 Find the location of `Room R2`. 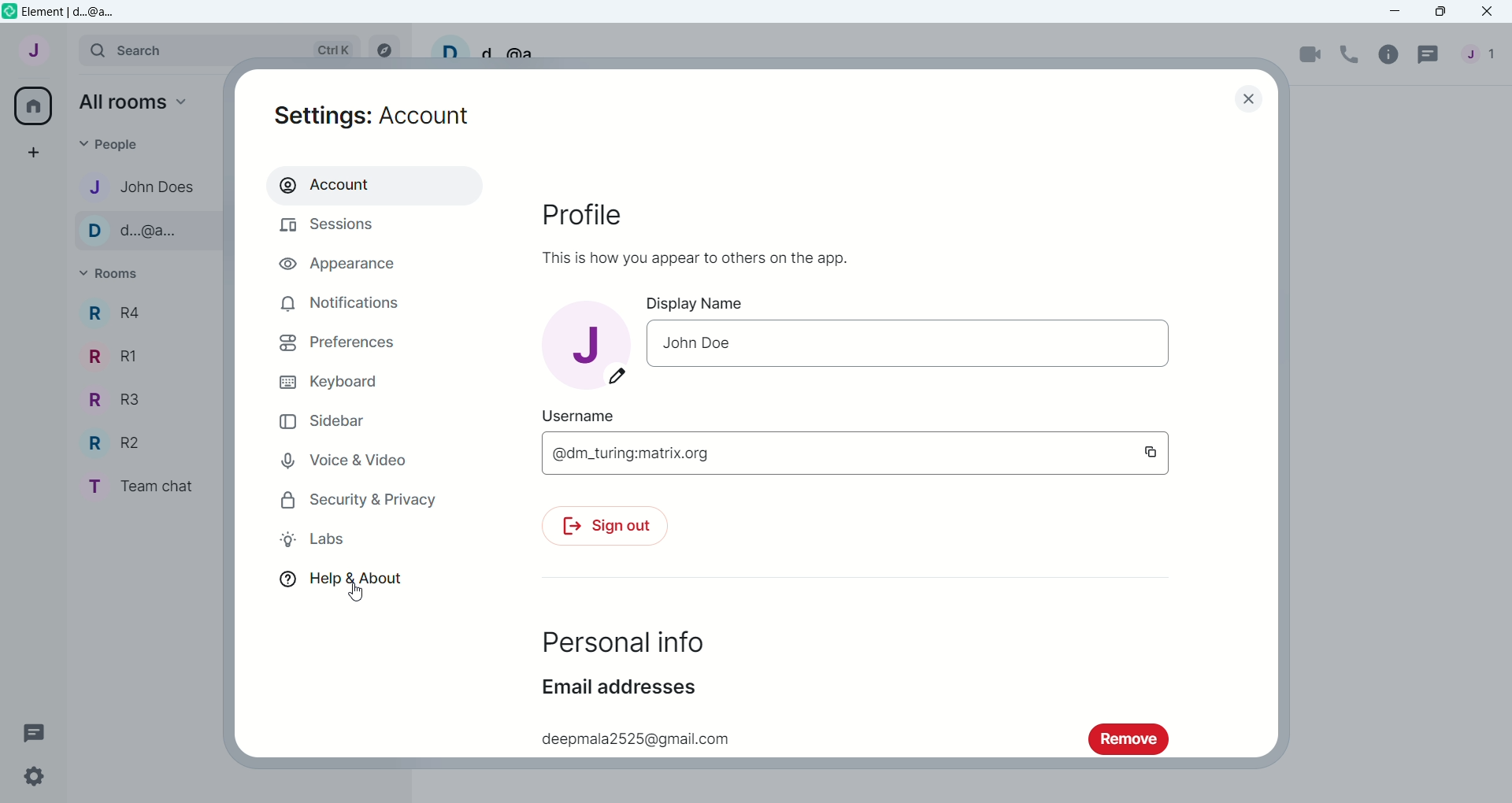

Room R2 is located at coordinates (111, 442).